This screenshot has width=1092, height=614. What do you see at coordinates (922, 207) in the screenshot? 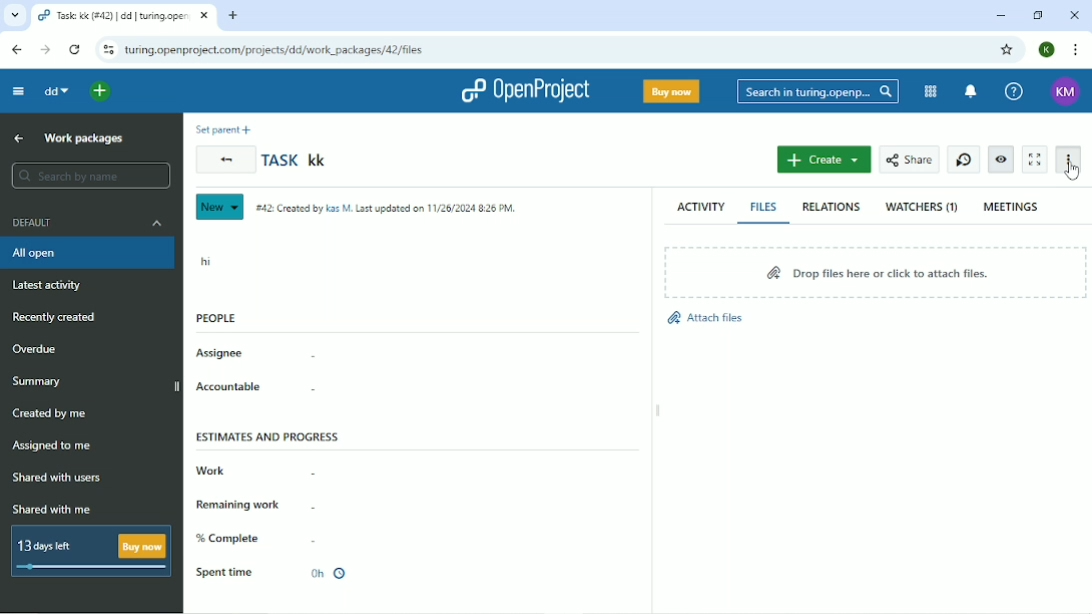
I see `Watchers (1`)` at bounding box center [922, 207].